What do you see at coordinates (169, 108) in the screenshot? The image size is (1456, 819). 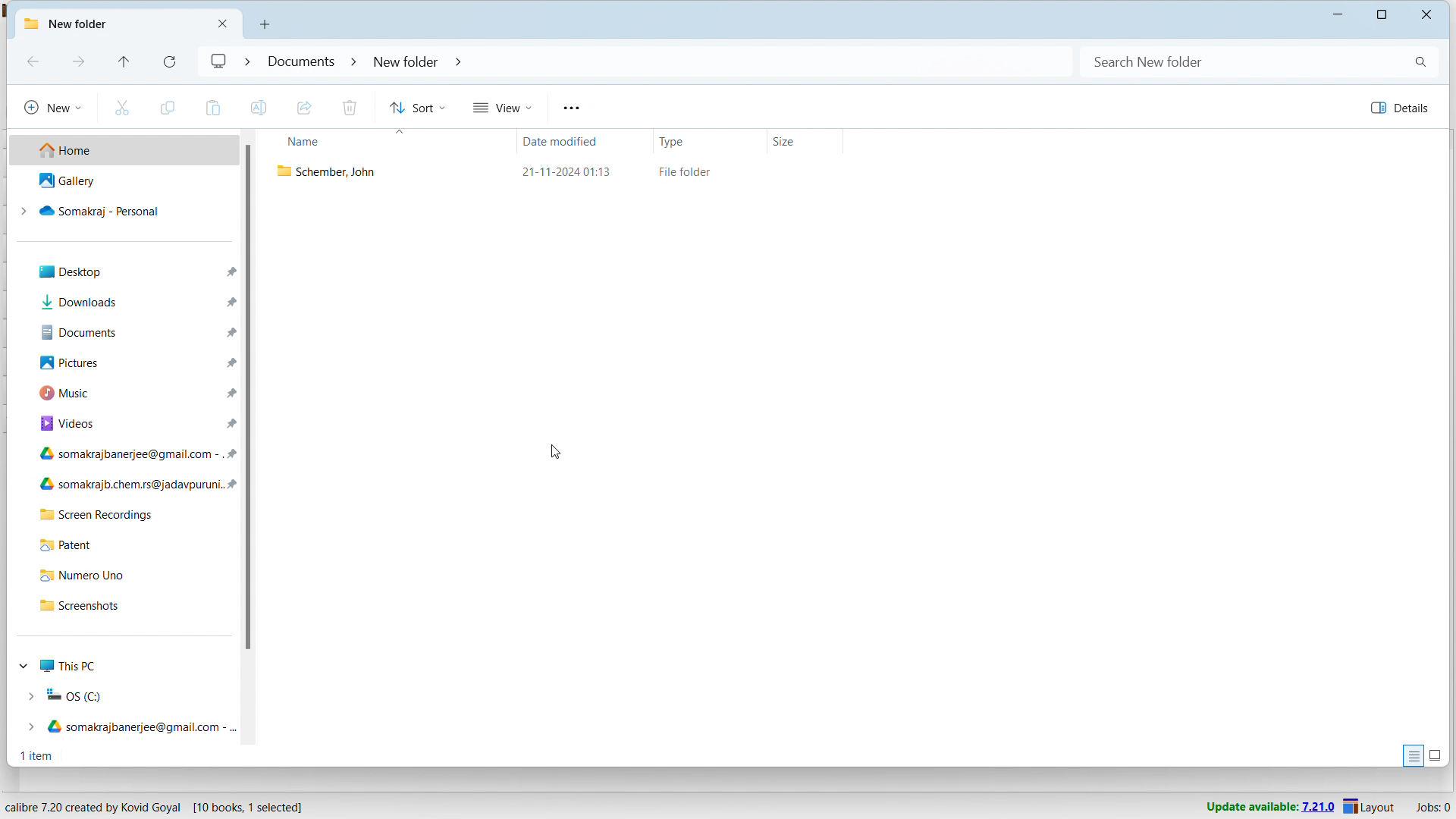 I see `copy` at bounding box center [169, 108].